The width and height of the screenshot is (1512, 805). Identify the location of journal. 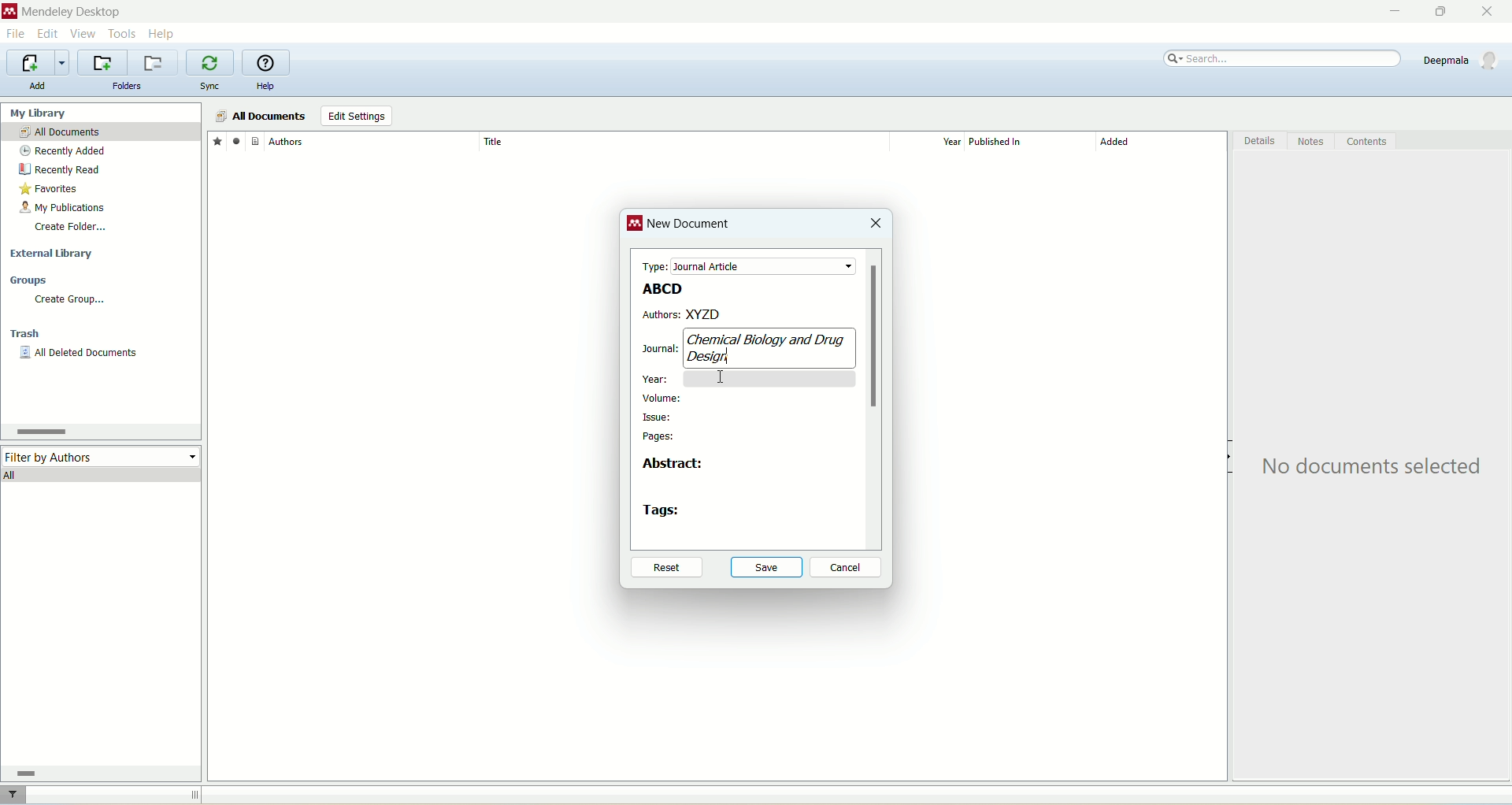
(655, 348).